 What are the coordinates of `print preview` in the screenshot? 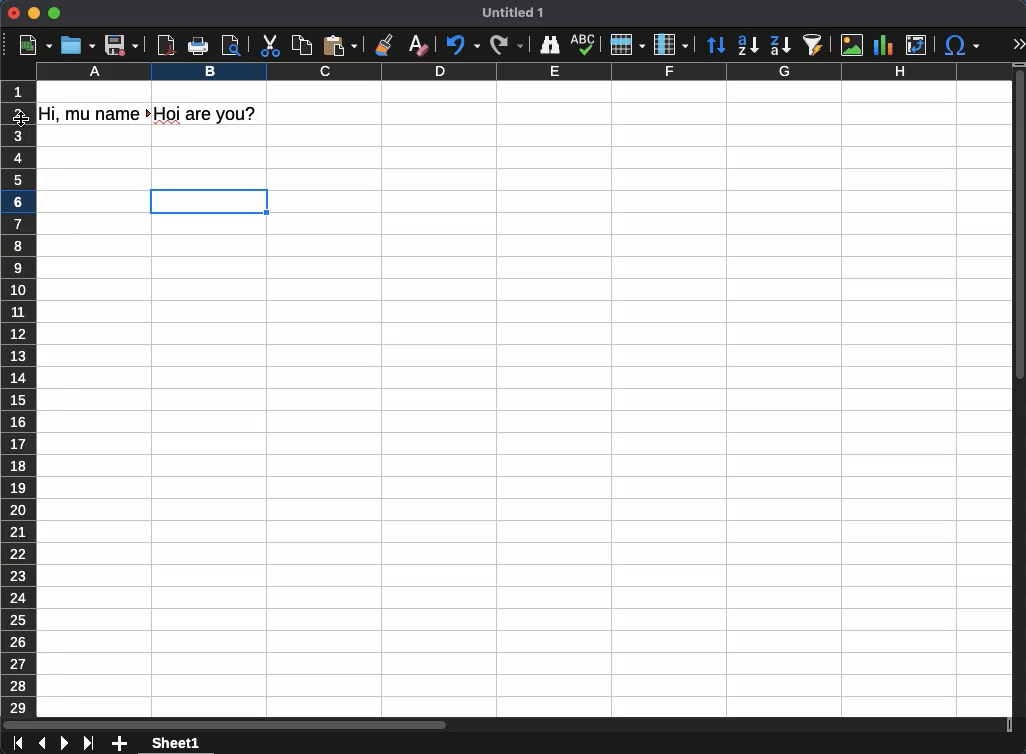 It's located at (233, 45).